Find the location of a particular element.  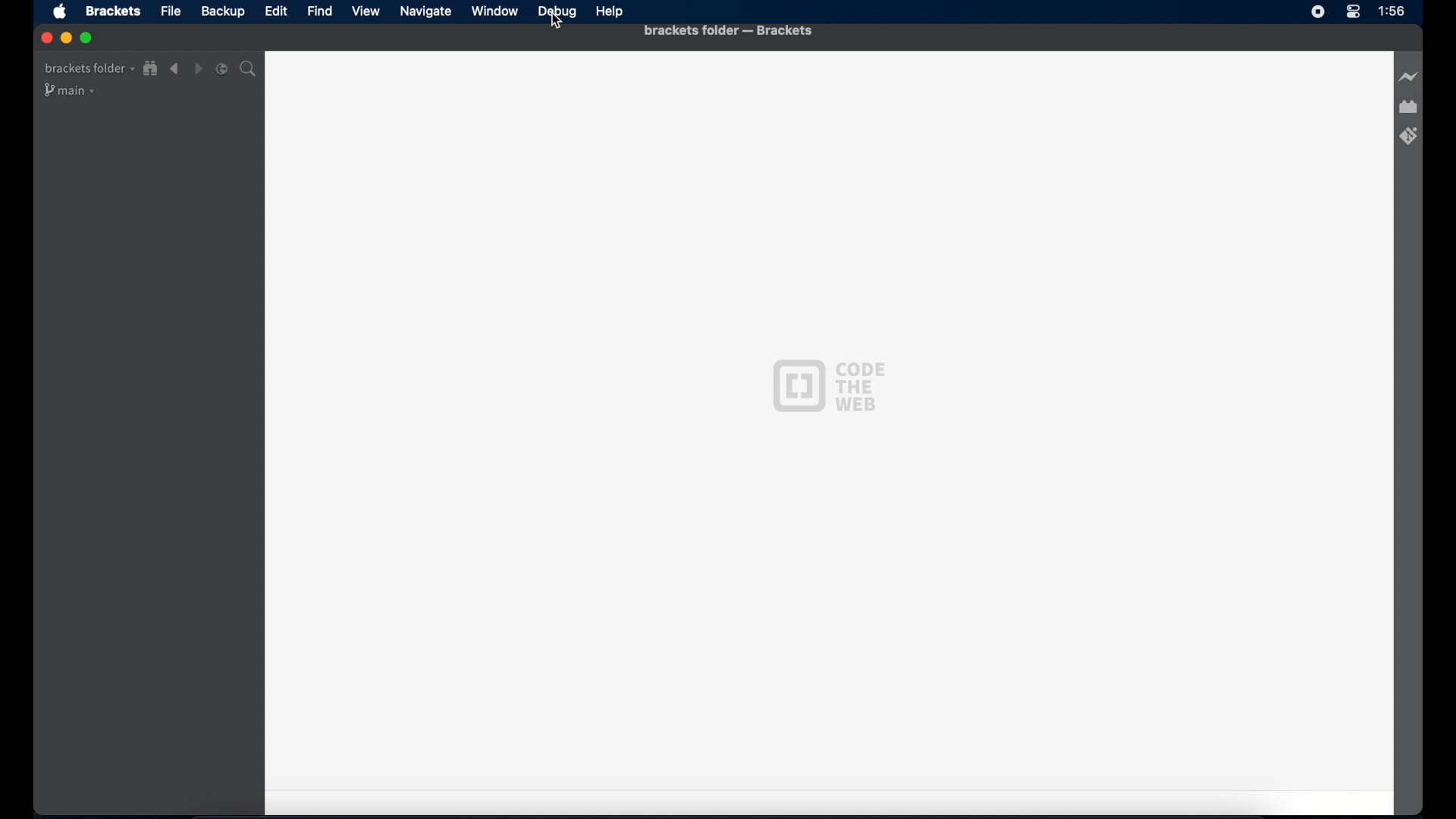

view is located at coordinates (366, 11).